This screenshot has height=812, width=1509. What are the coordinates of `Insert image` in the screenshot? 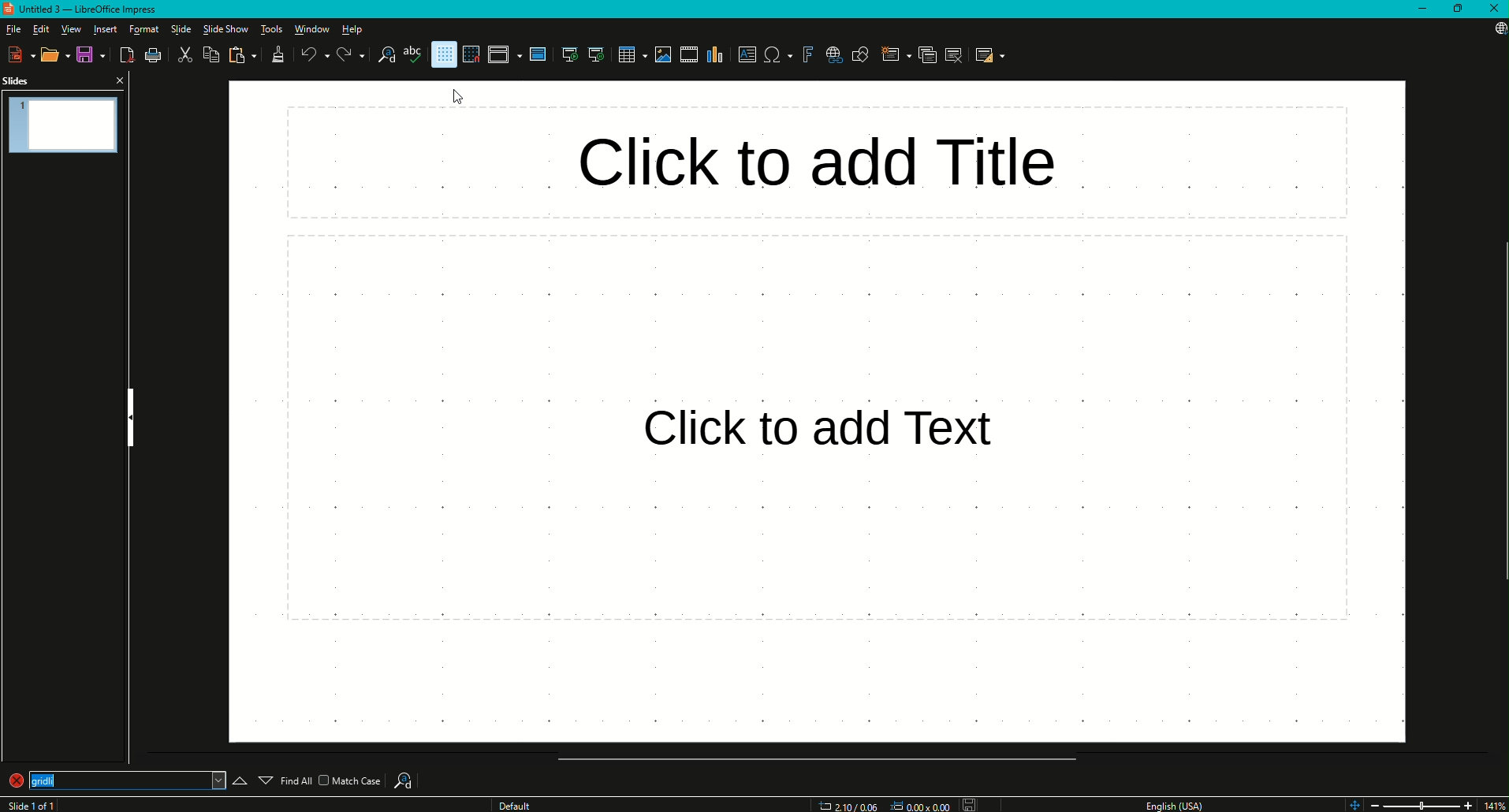 It's located at (664, 54).